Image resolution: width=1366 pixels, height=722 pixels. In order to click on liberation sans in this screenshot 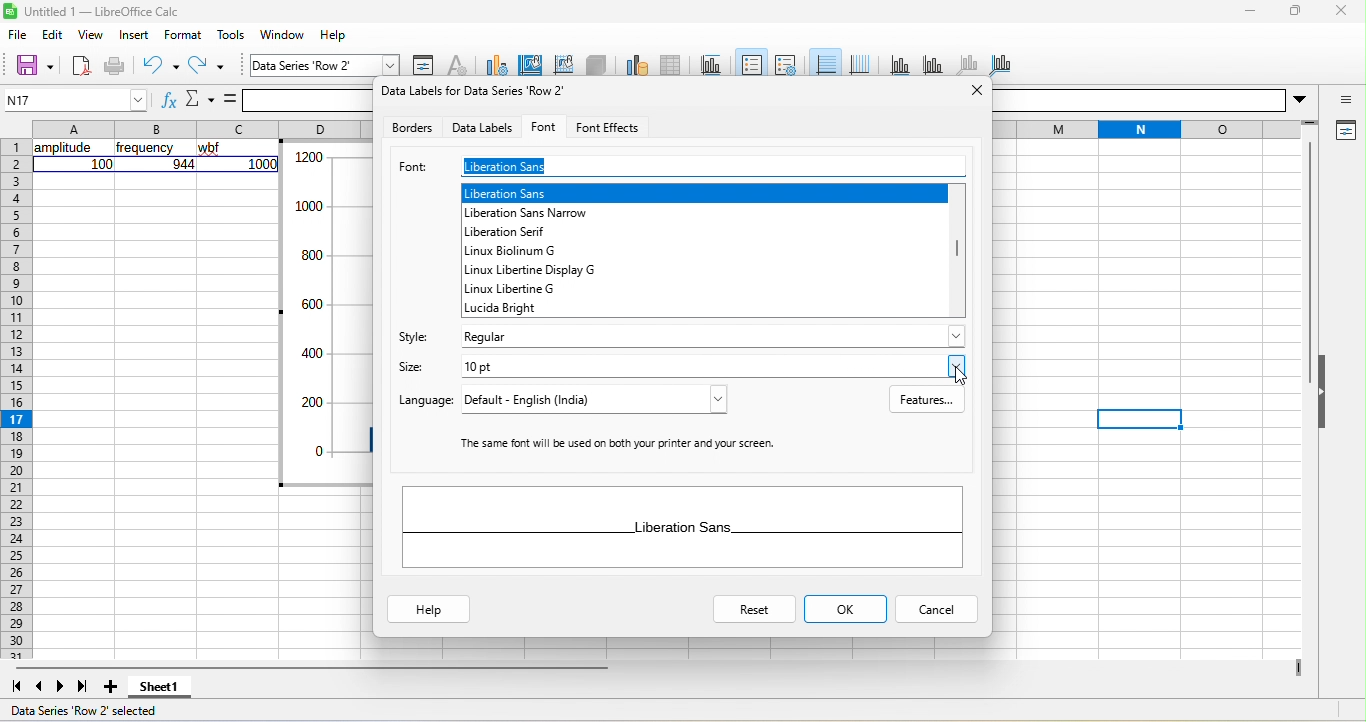, I will do `click(715, 166)`.